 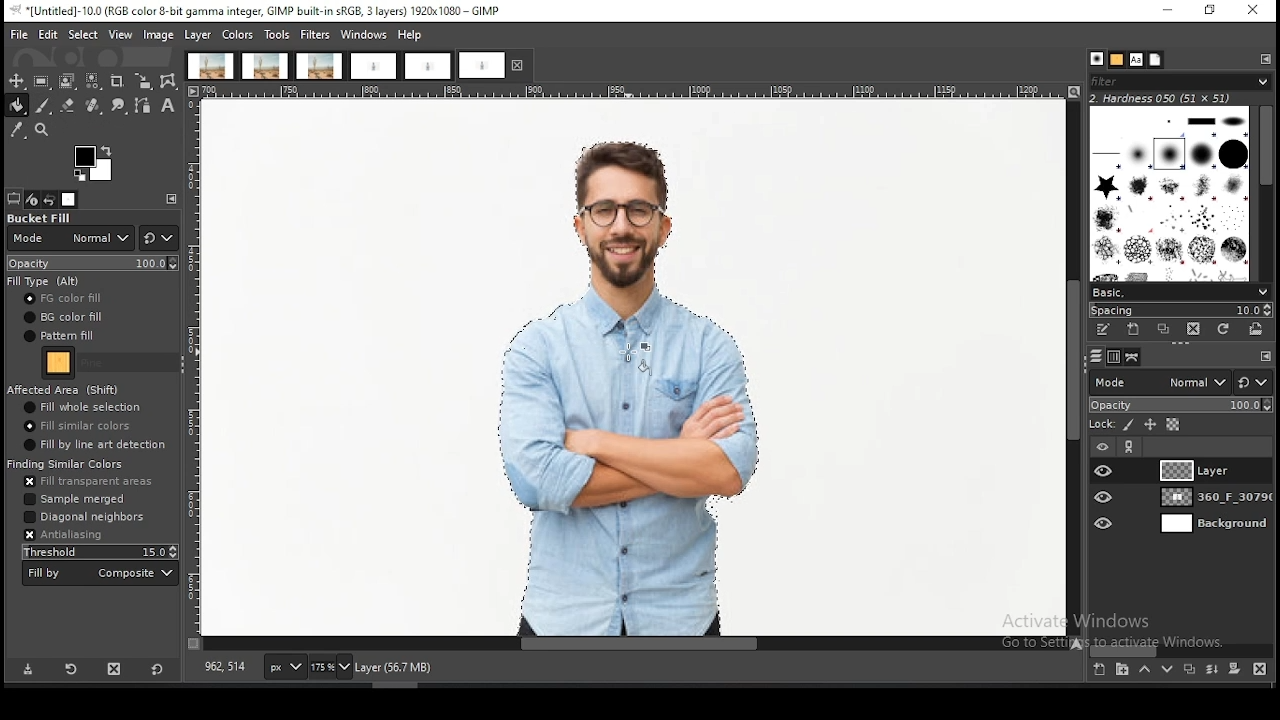 I want to click on layer, so click(x=1213, y=525).